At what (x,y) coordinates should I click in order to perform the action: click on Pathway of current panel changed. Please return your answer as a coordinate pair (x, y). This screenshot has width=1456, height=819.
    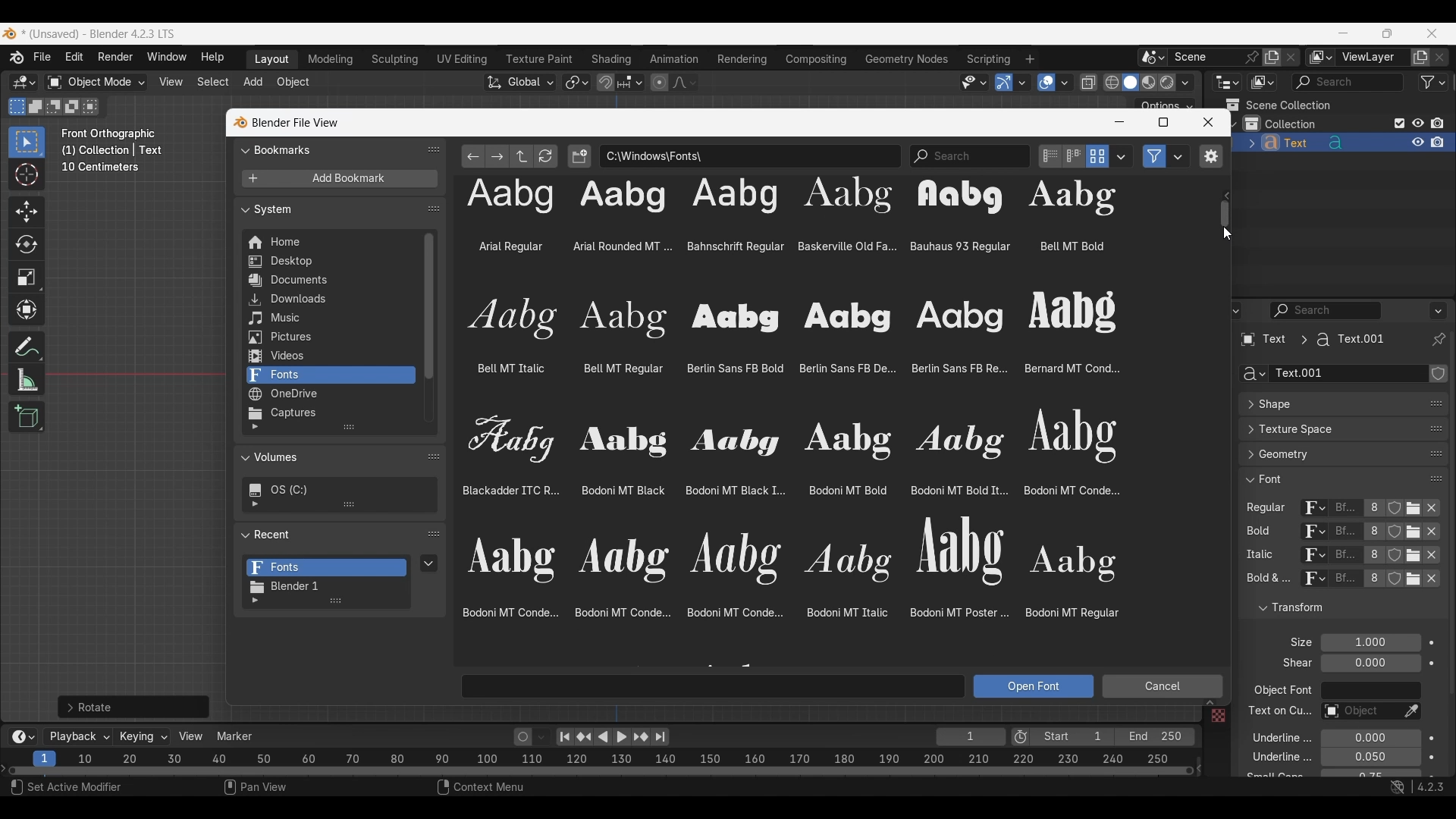
    Looking at the image, I should click on (1311, 340).